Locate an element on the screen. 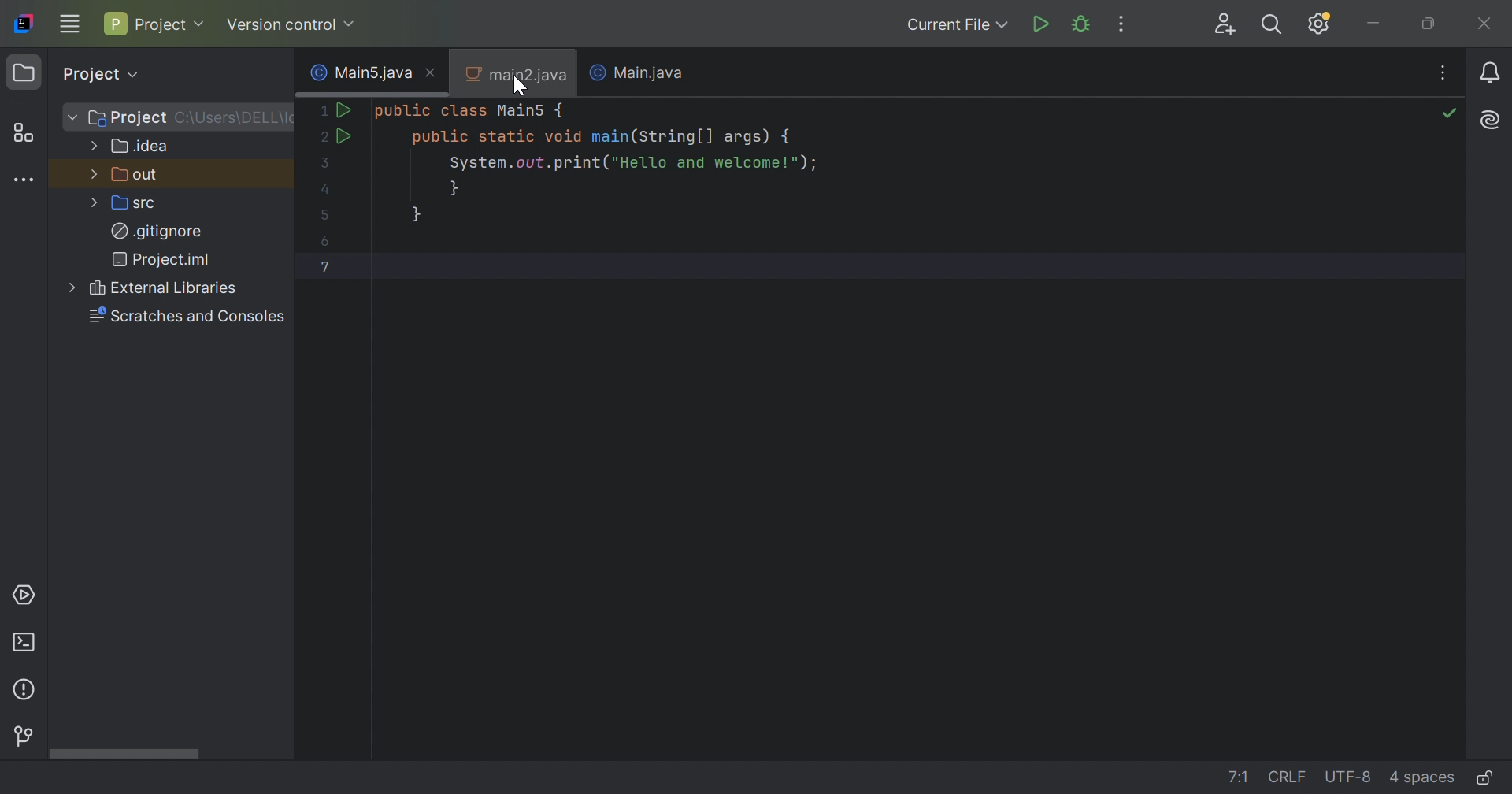 Image resolution: width=1512 pixels, height=794 pixels. cursor on main2.java is located at coordinates (521, 86).